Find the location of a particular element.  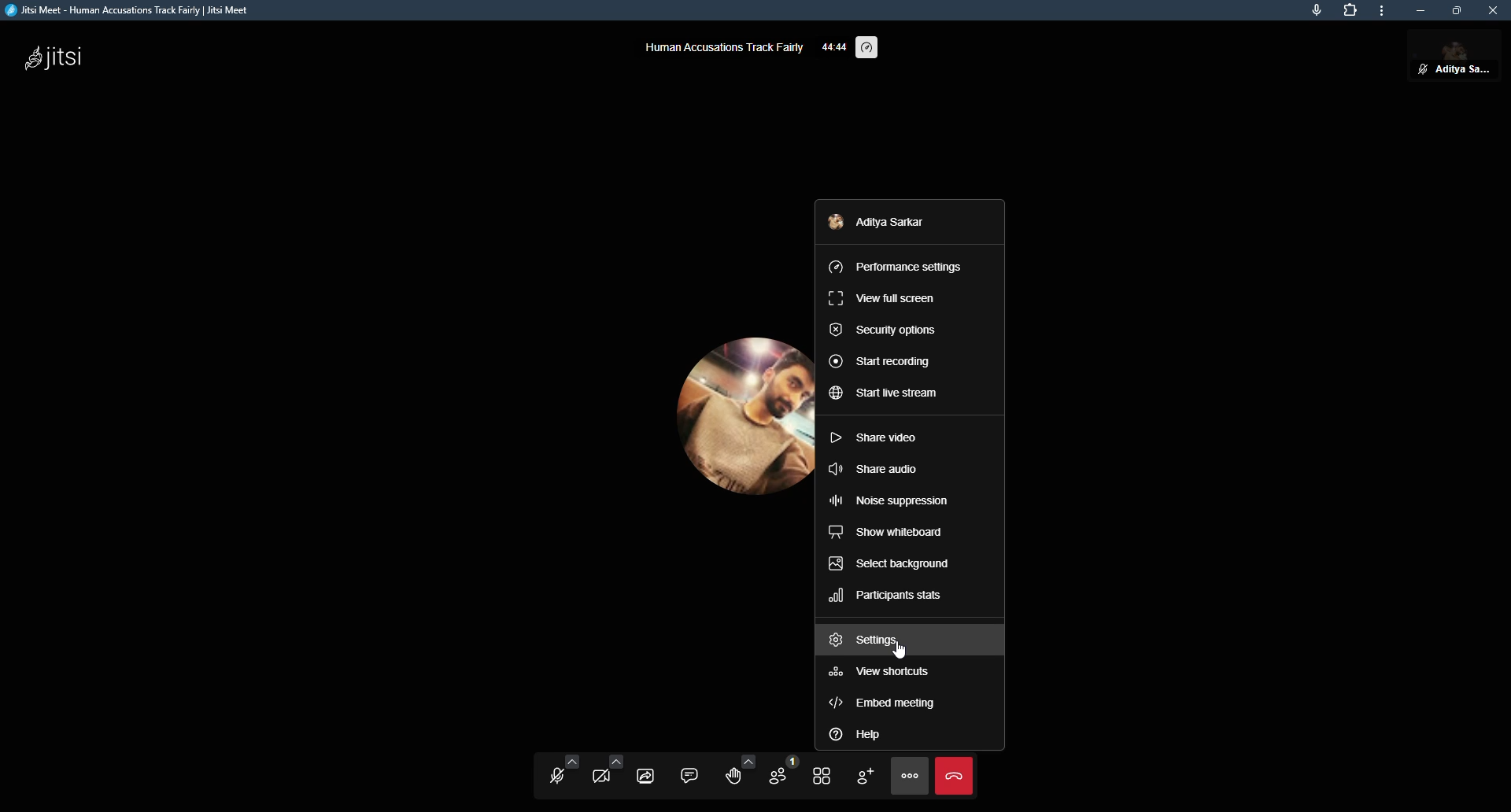

embed meeting is located at coordinates (885, 703).